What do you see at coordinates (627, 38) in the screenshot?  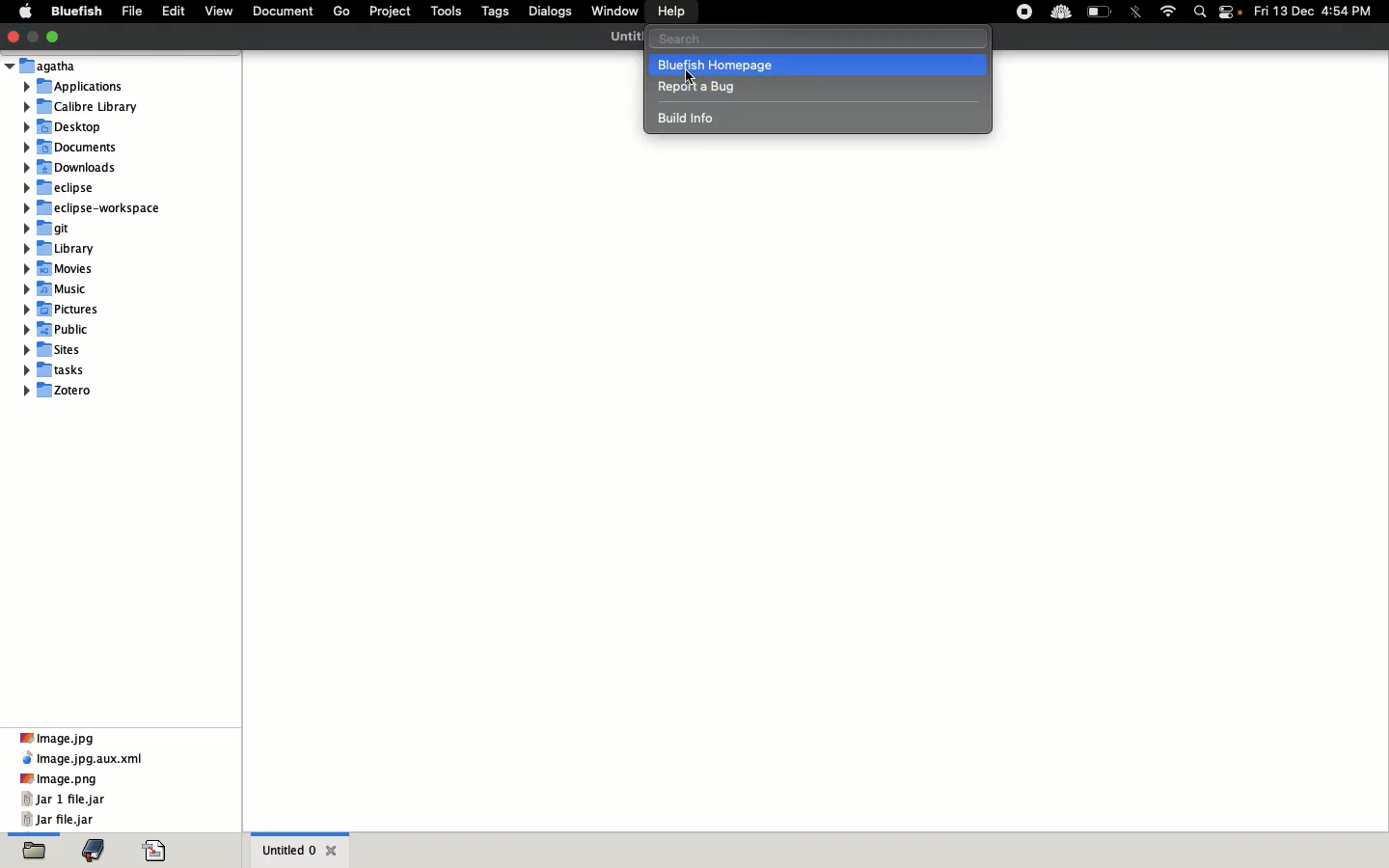 I see `Name` at bounding box center [627, 38].